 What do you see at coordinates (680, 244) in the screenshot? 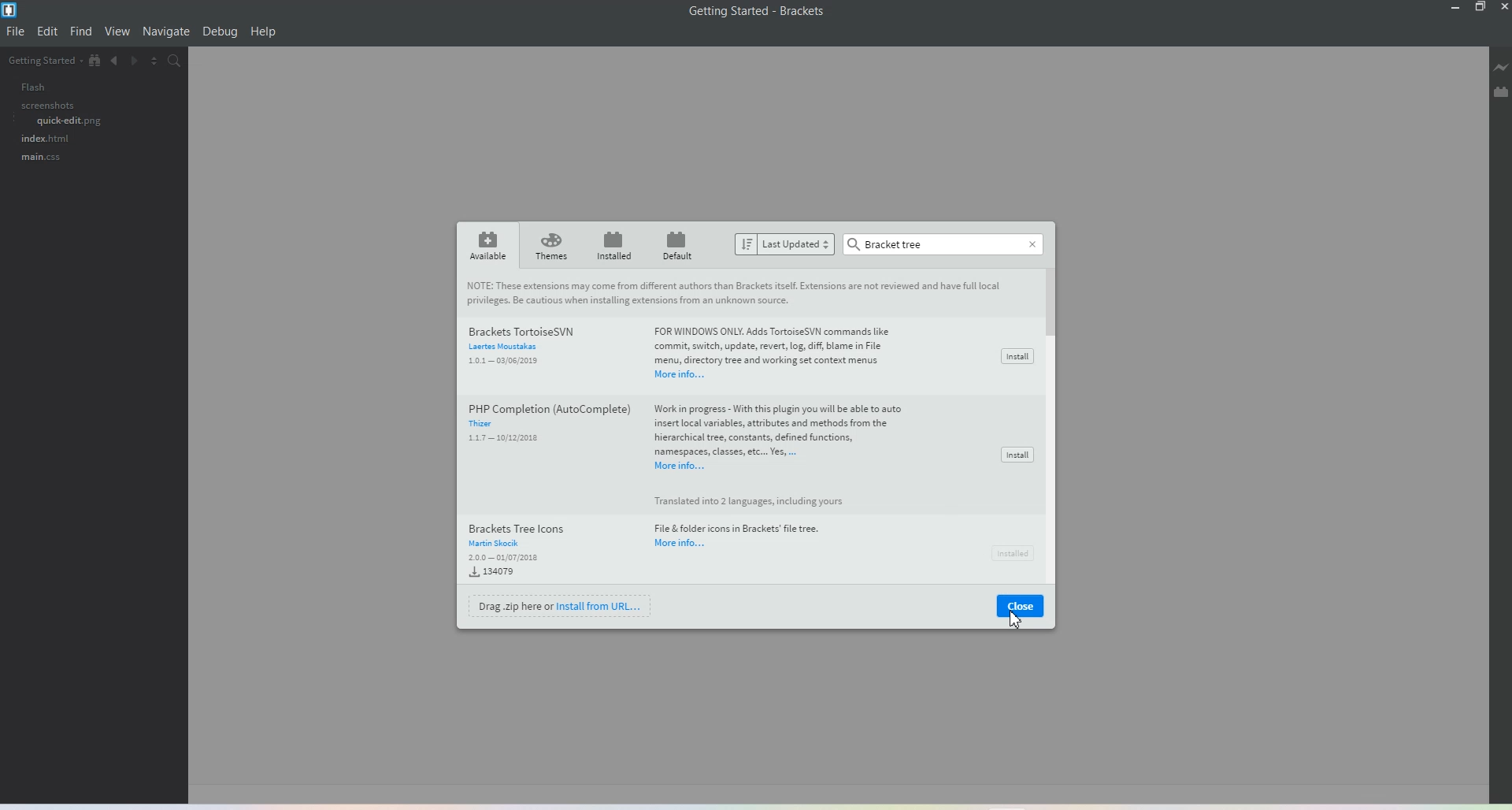
I see `Default` at bounding box center [680, 244].